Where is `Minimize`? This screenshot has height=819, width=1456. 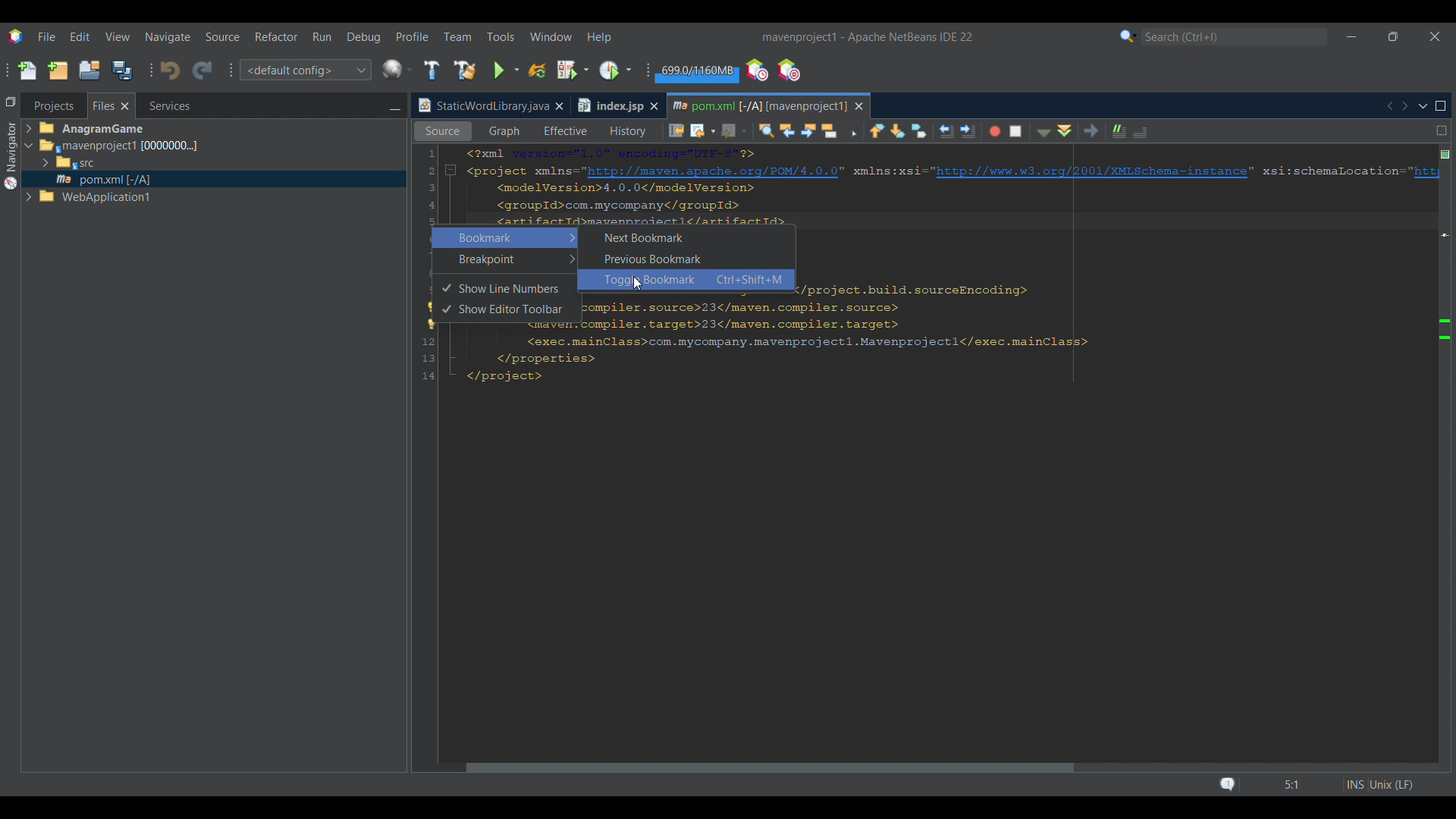
Minimize is located at coordinates (394, 107).